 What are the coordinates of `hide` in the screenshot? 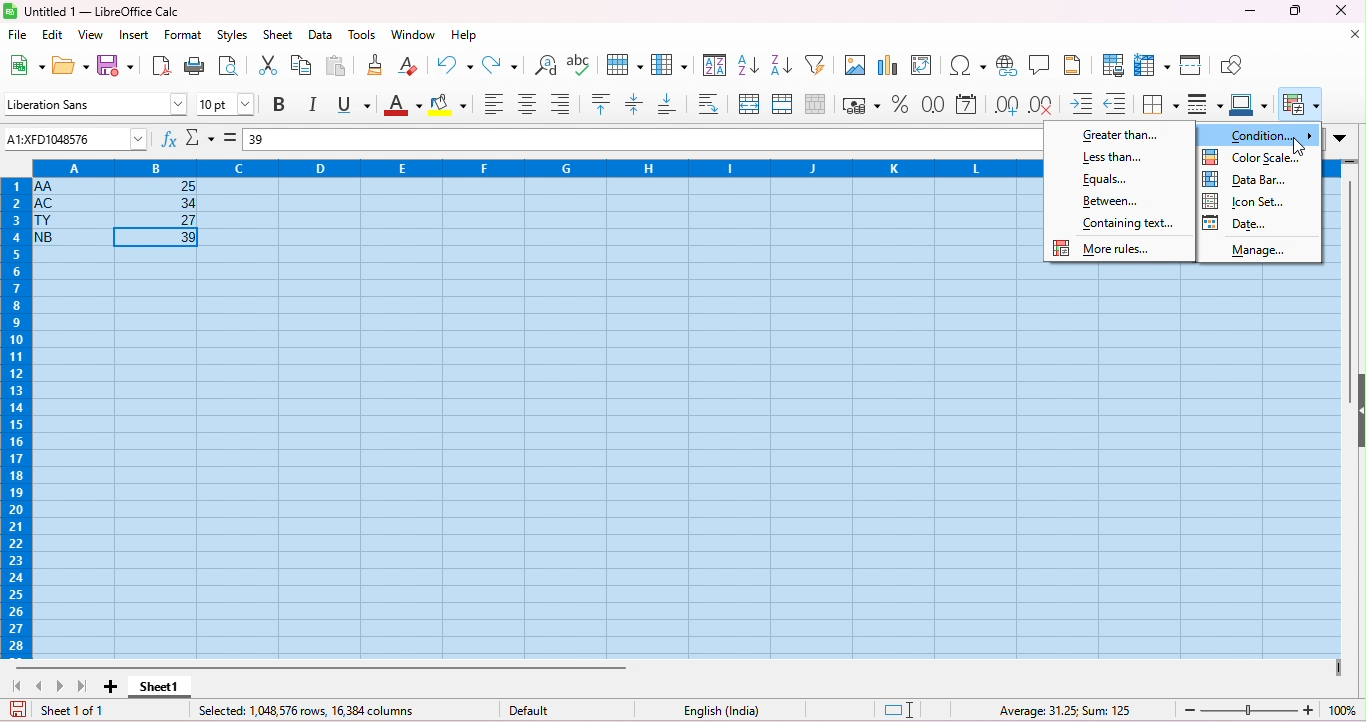 It's located at (1357, 409).